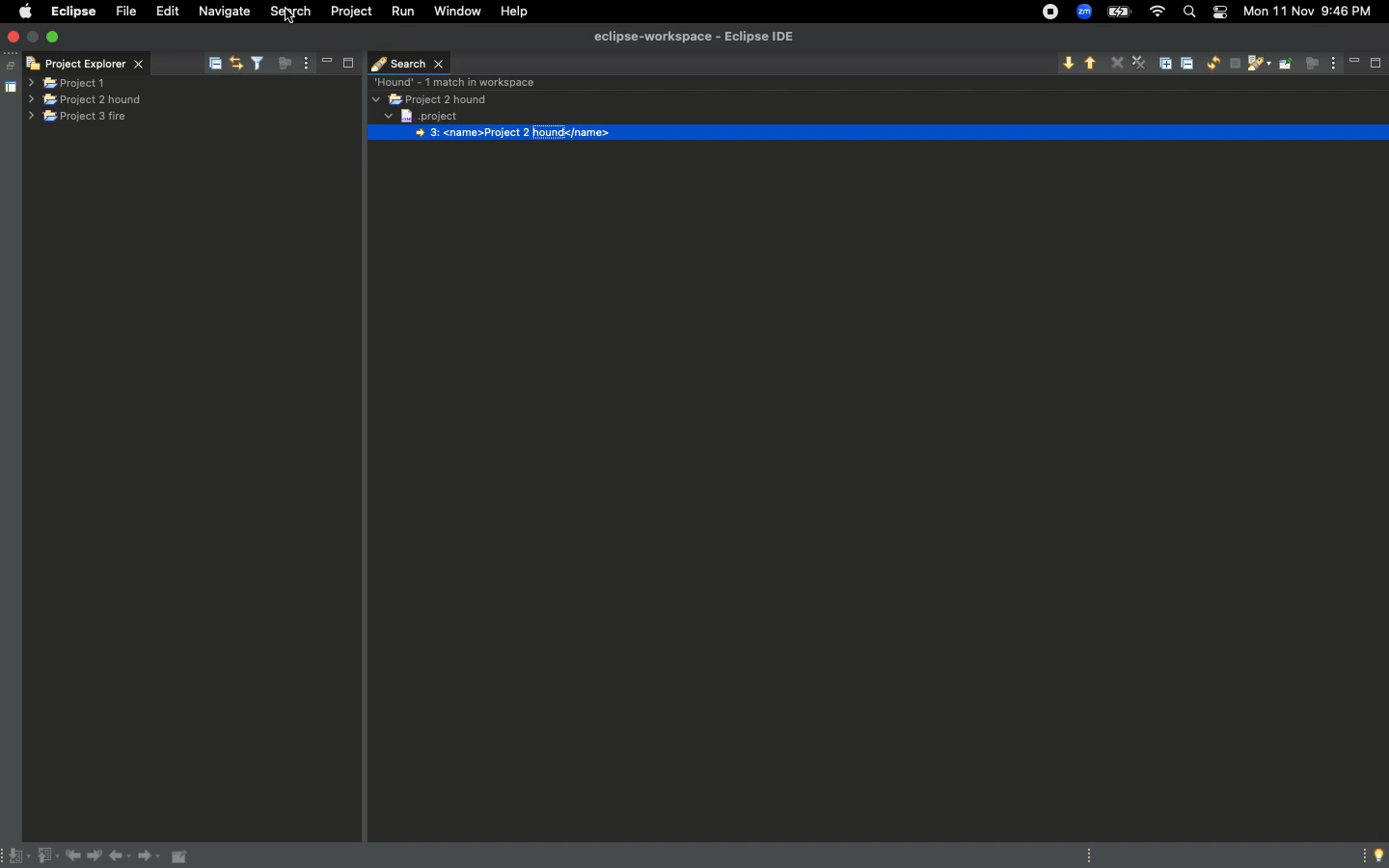 The width and height of the screenshot is (1389, 868). What do you see at coordinates (1084, 14) in the screenshot?
I see `Zoom` at bounding box center [1084, 14].